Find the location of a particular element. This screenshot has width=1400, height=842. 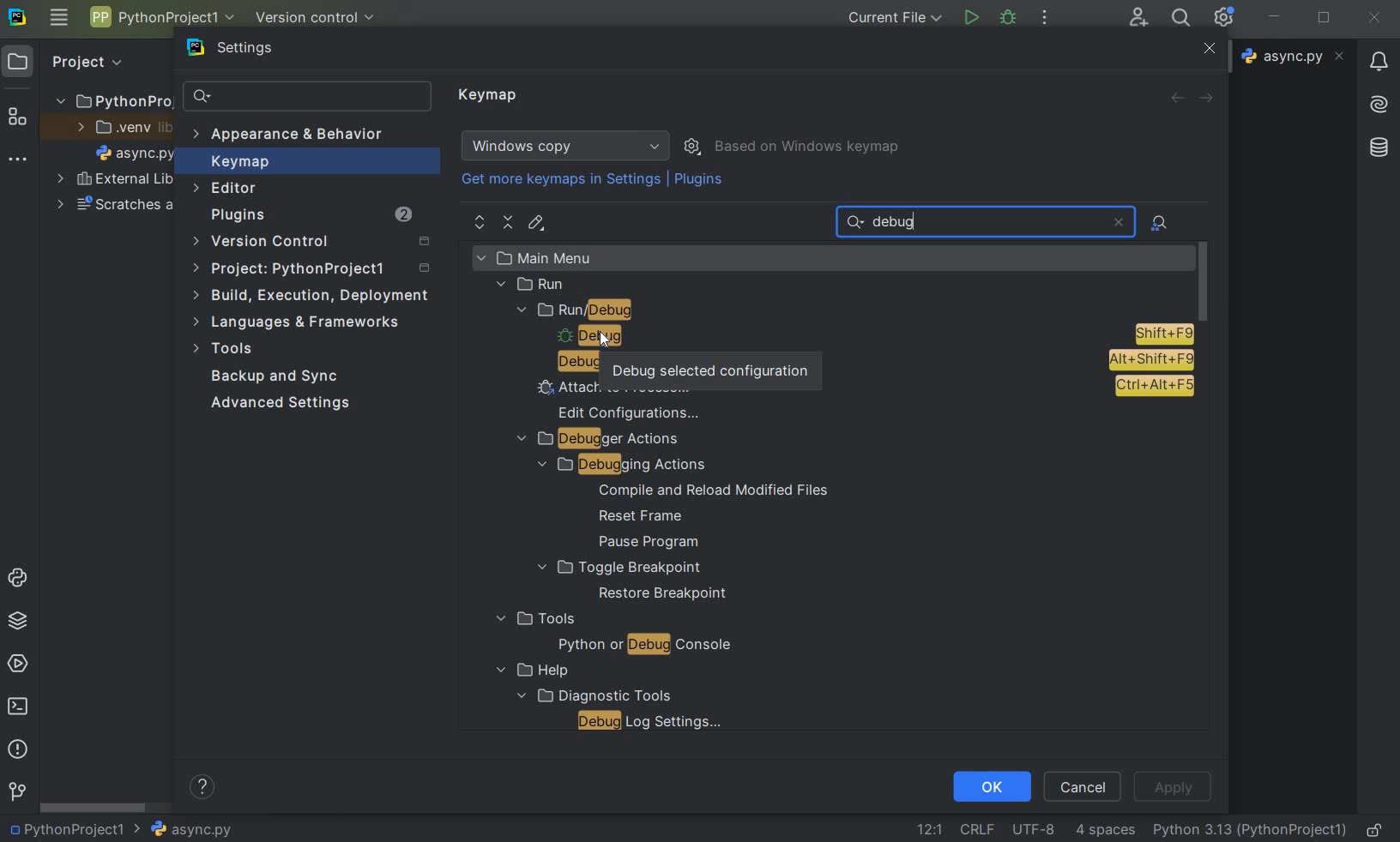

editor is located at coordinates (226, 188).